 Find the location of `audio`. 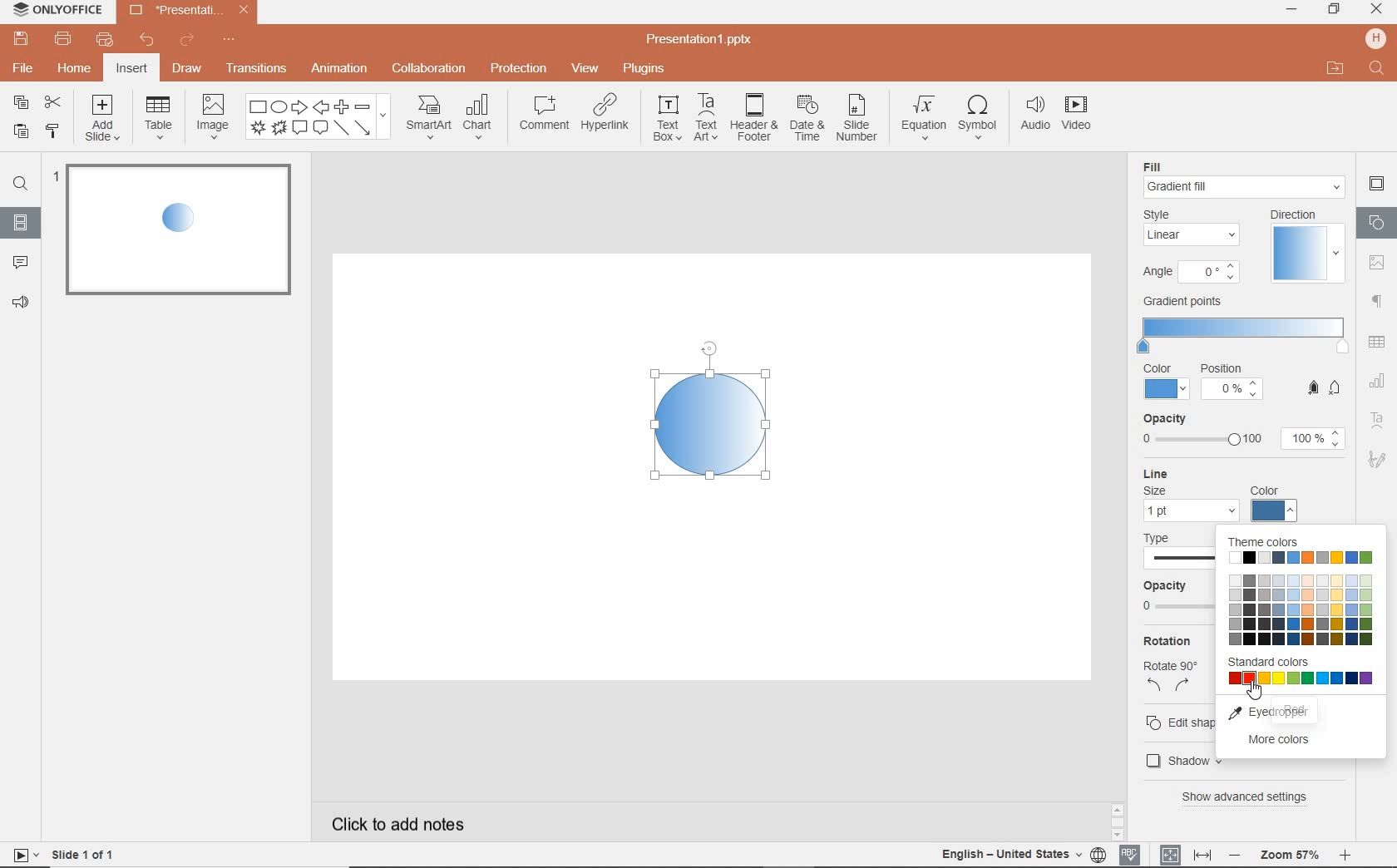

audio is located at coordinates (1033, 116).